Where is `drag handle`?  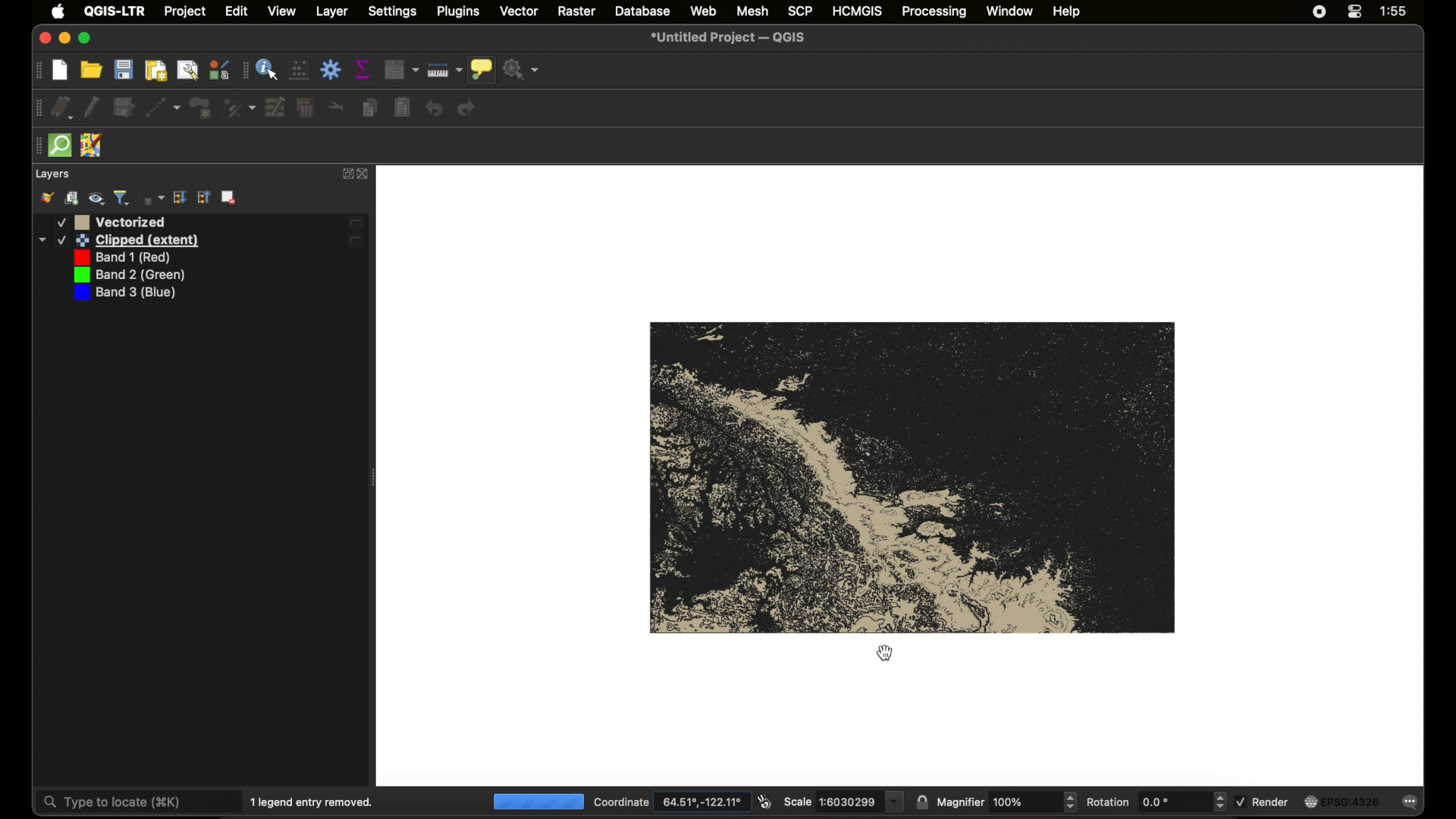
drag handle is located at coordinates (36, 146).